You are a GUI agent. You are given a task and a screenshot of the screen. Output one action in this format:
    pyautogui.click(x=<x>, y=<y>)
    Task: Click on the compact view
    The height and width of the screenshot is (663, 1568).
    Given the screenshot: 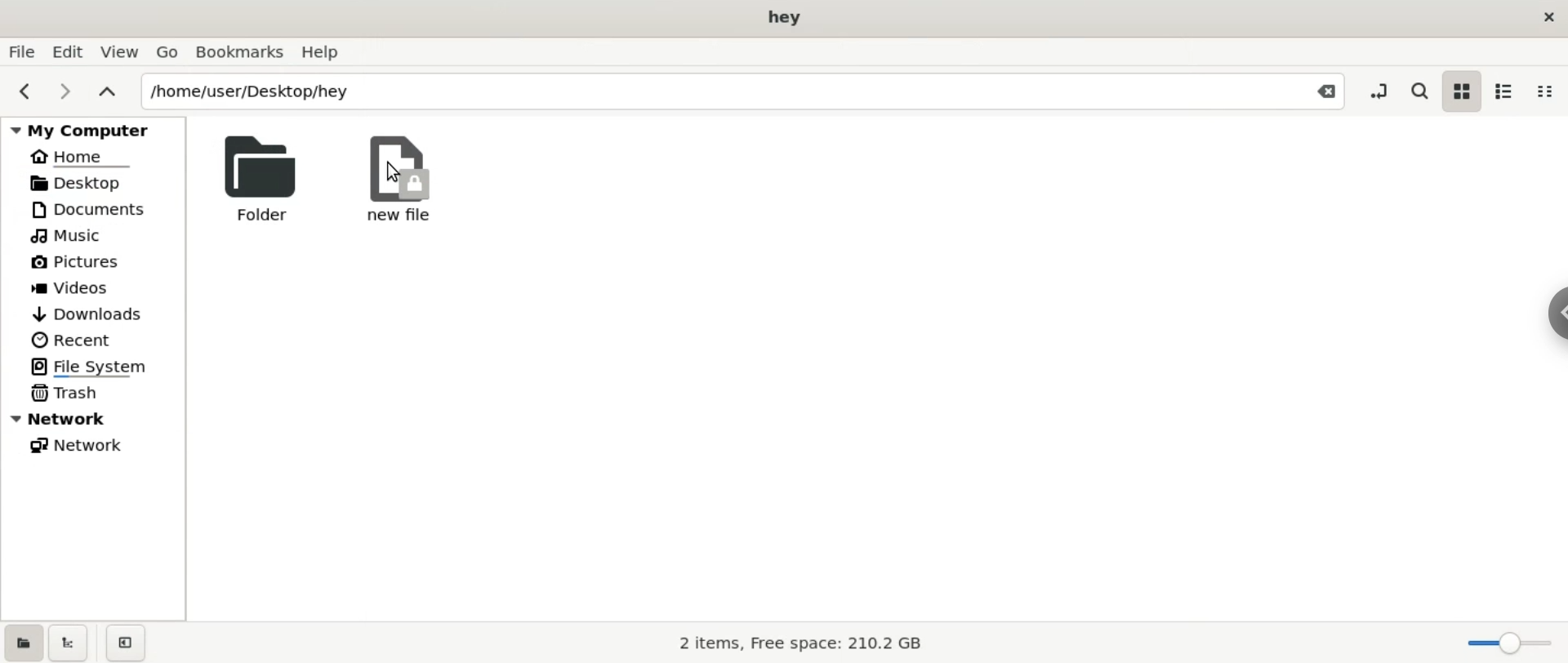 What is the action you would take?
    pyautogui.click(x=1547, y=91)
    